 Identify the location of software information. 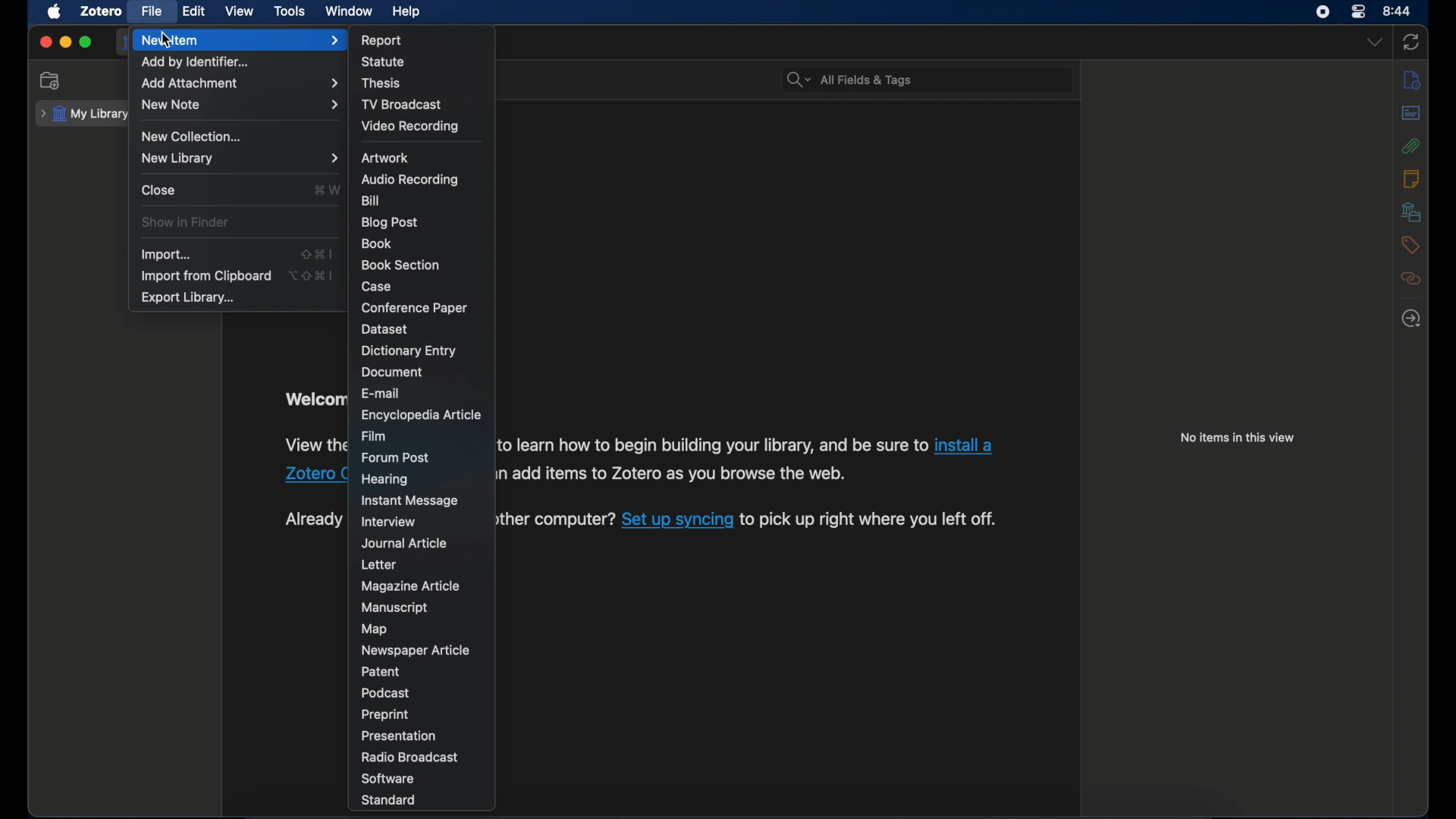
(315, 447).